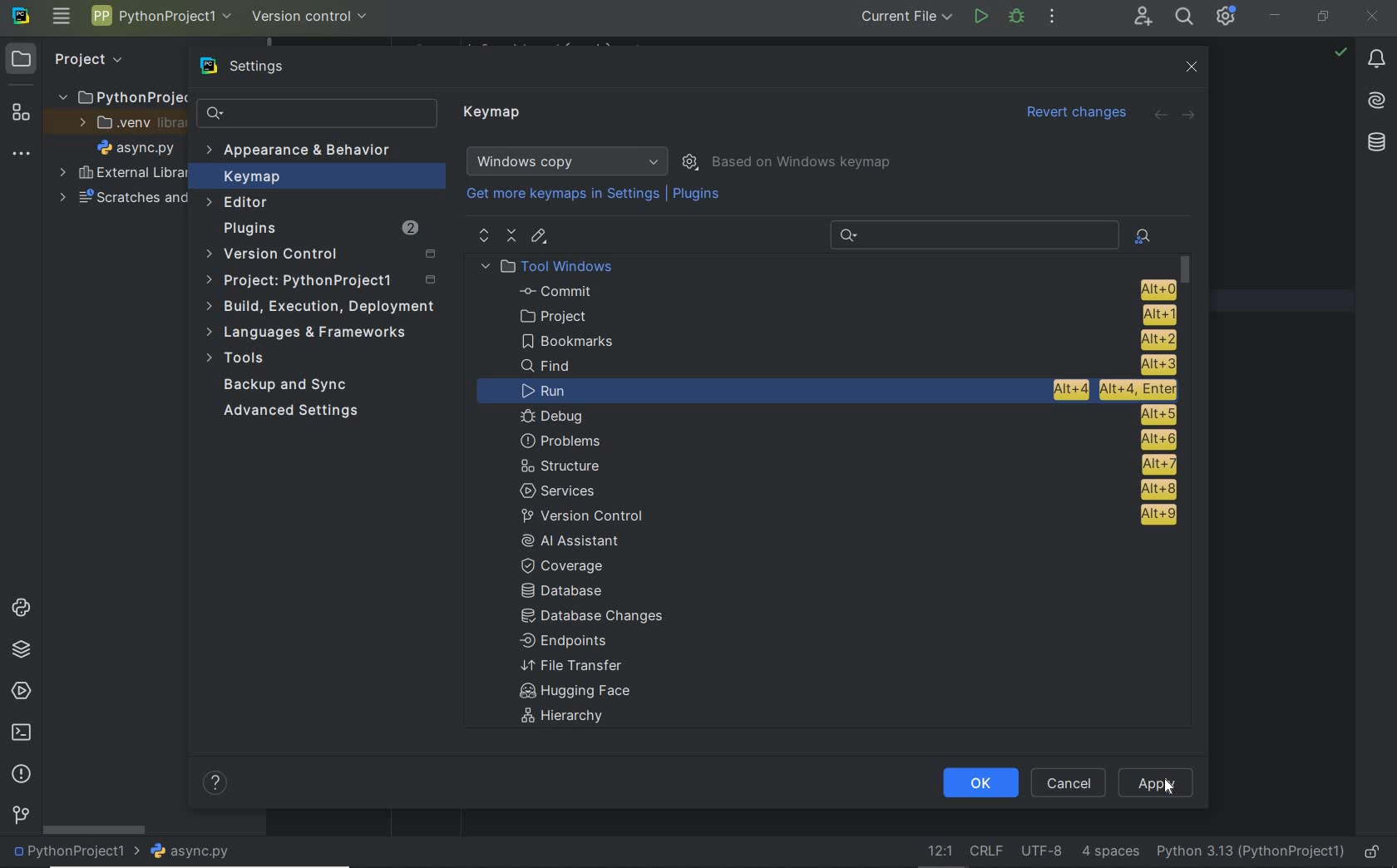  I want to click on Appearance & Behavior, so click(301, 151).